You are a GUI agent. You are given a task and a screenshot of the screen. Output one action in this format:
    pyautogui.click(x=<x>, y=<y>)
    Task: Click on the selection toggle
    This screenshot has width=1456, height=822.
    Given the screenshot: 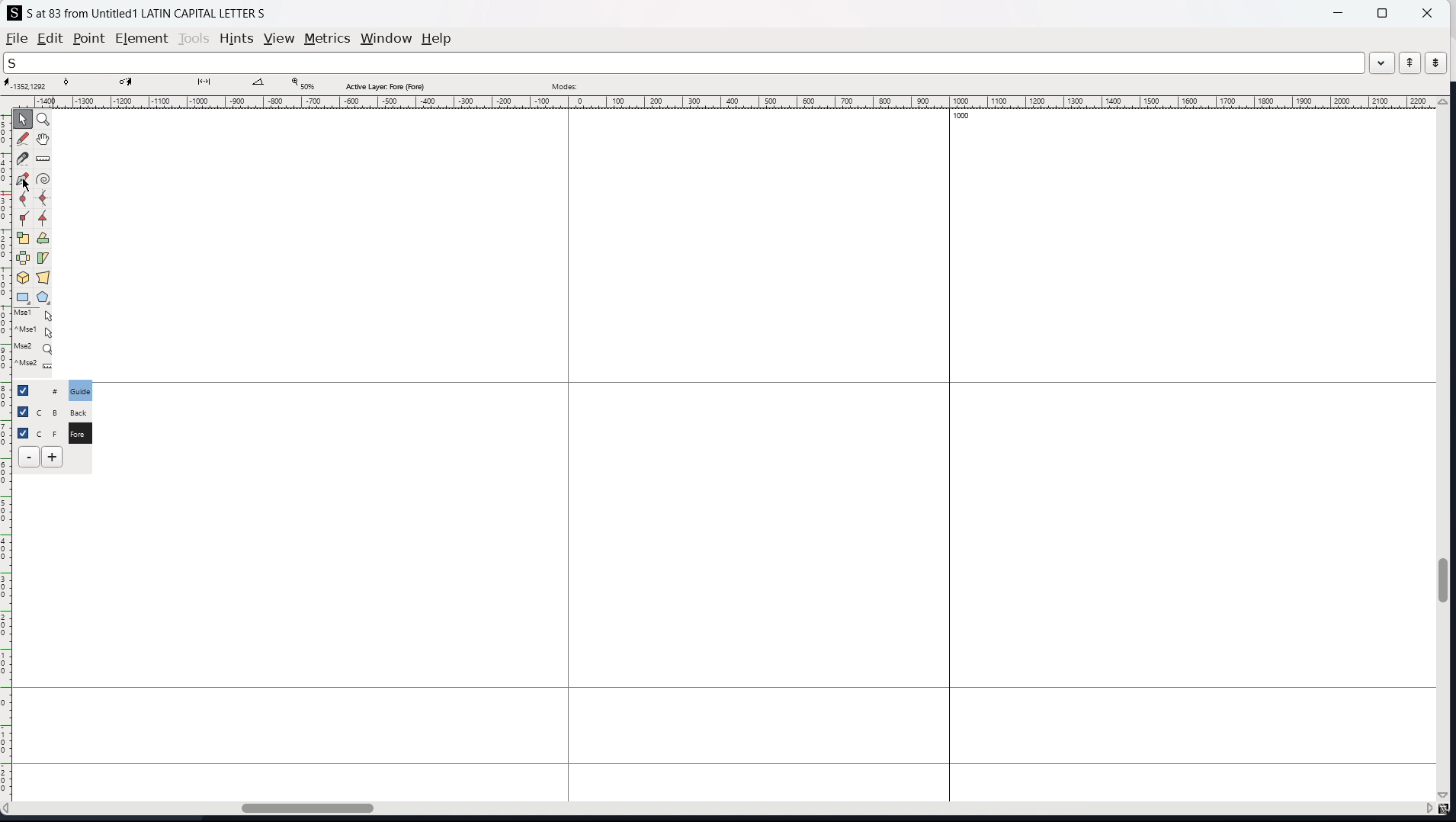 What is the action you would take?
    pyautogui.click(x=24, y=432)
    